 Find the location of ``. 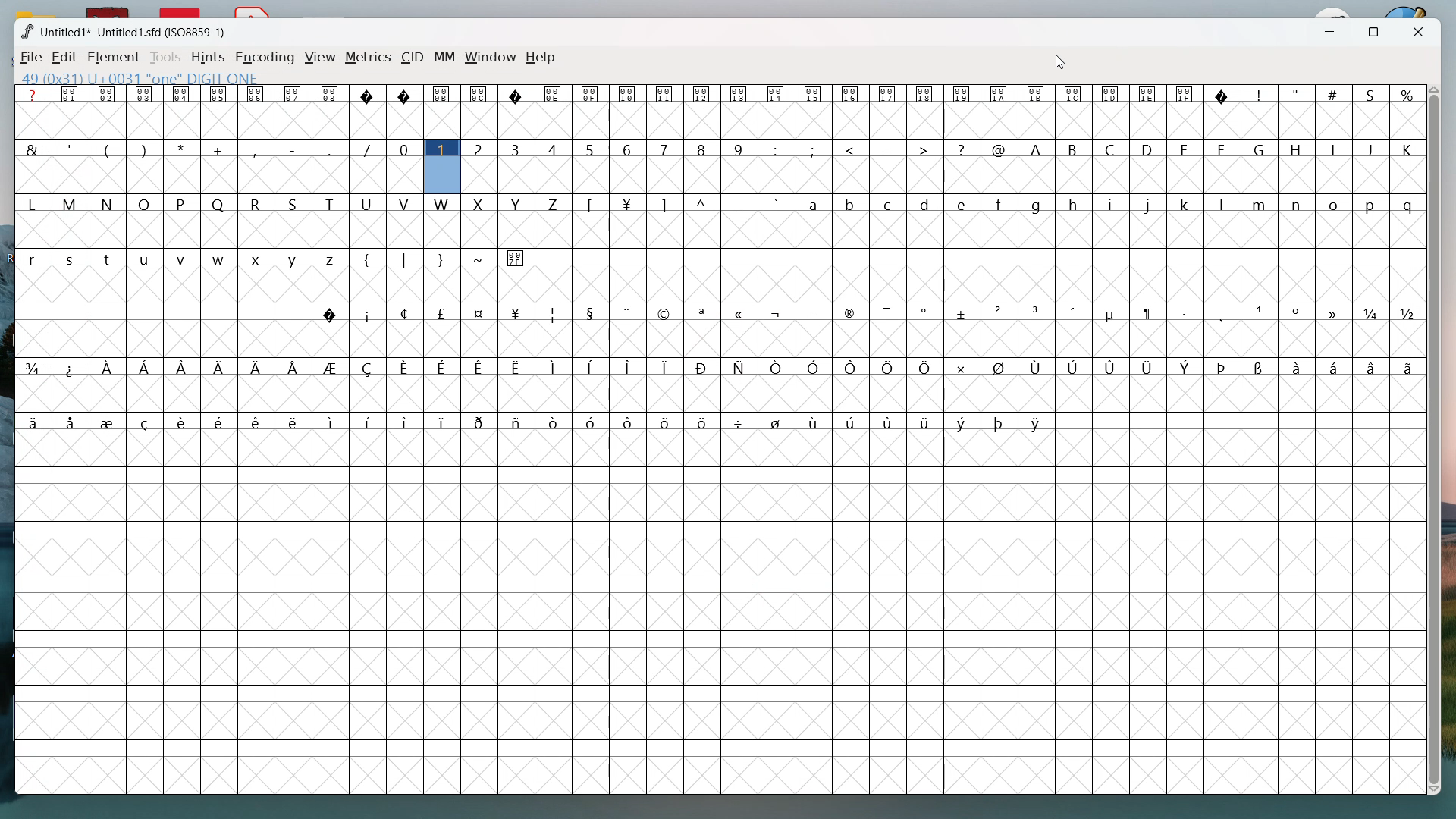

 is located at coordinates (1149, 95).